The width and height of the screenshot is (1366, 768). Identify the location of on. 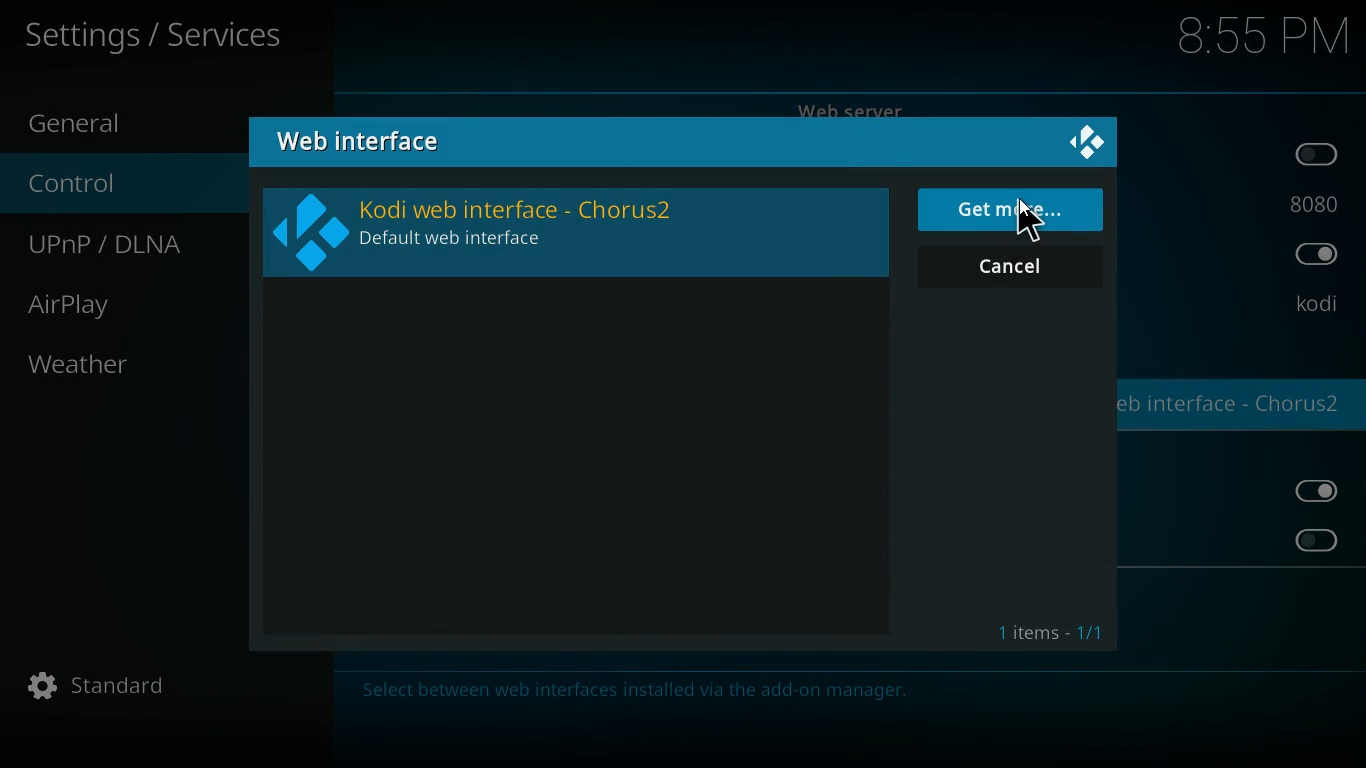
(1323, 491).